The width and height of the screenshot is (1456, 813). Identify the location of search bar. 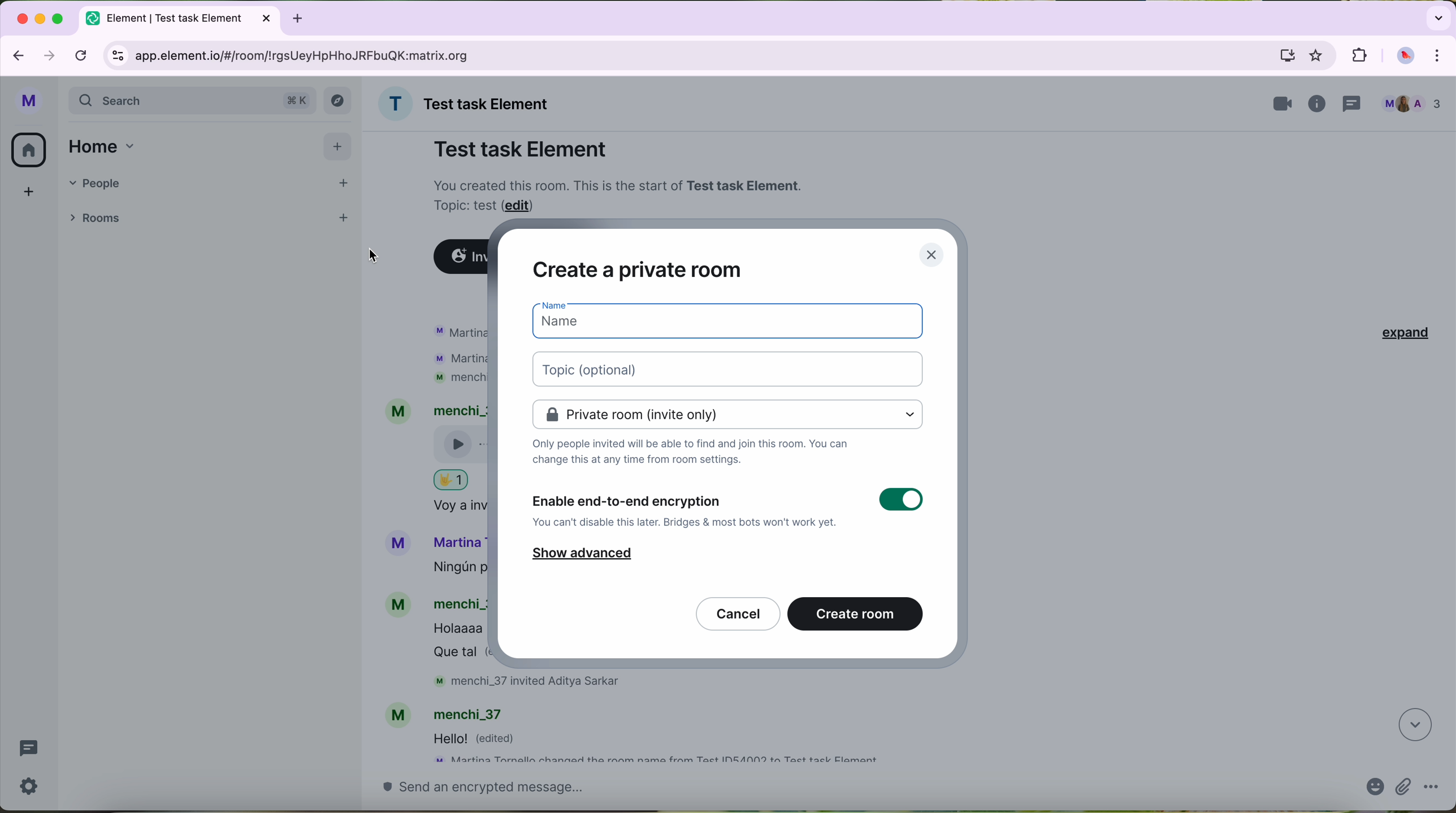
(193, 102).